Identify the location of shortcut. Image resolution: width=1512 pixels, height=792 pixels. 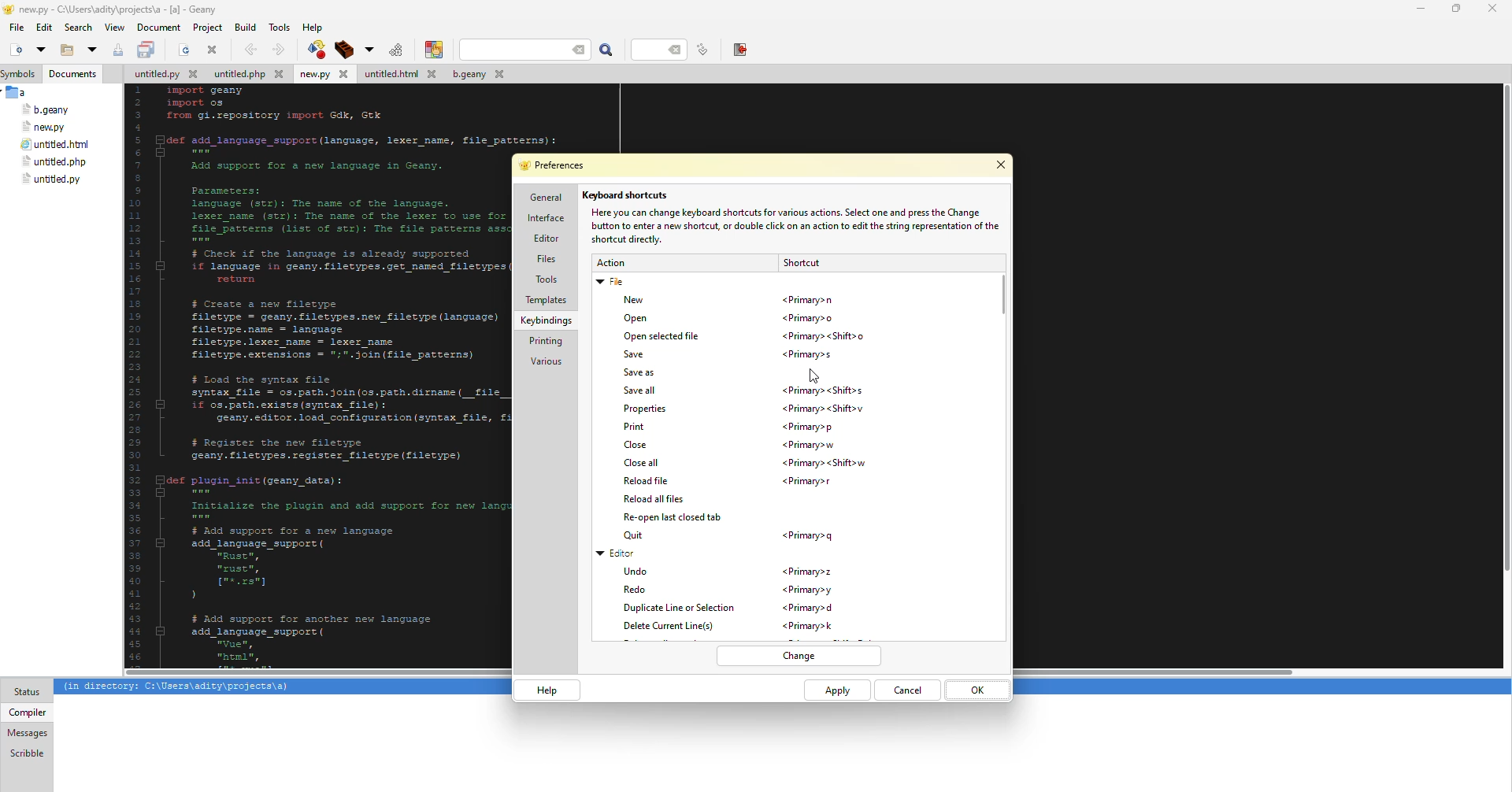
(808, 299).